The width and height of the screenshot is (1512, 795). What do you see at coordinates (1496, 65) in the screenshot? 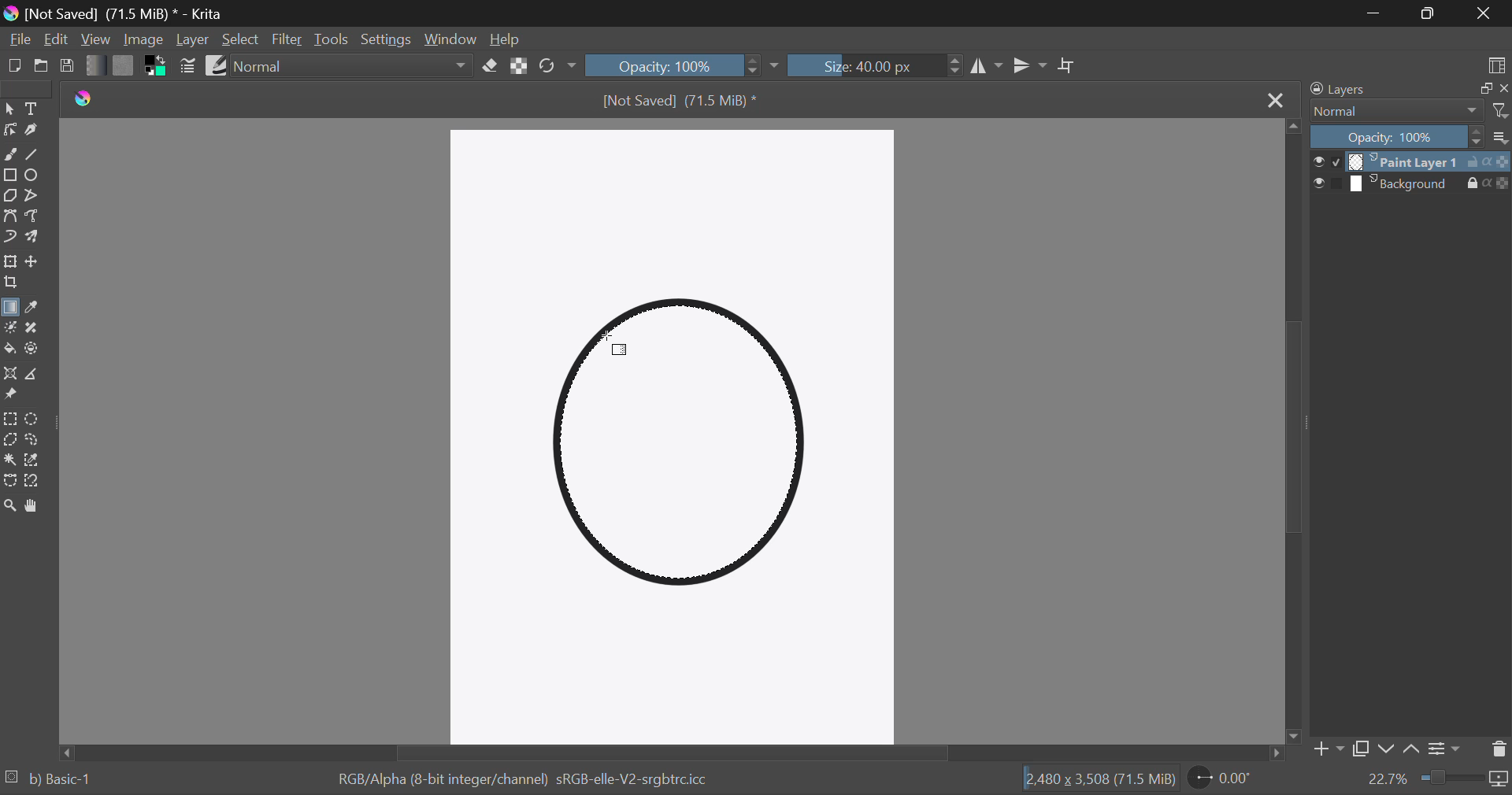
I see `Choose Workspace` at bounding box center [1496, 65].